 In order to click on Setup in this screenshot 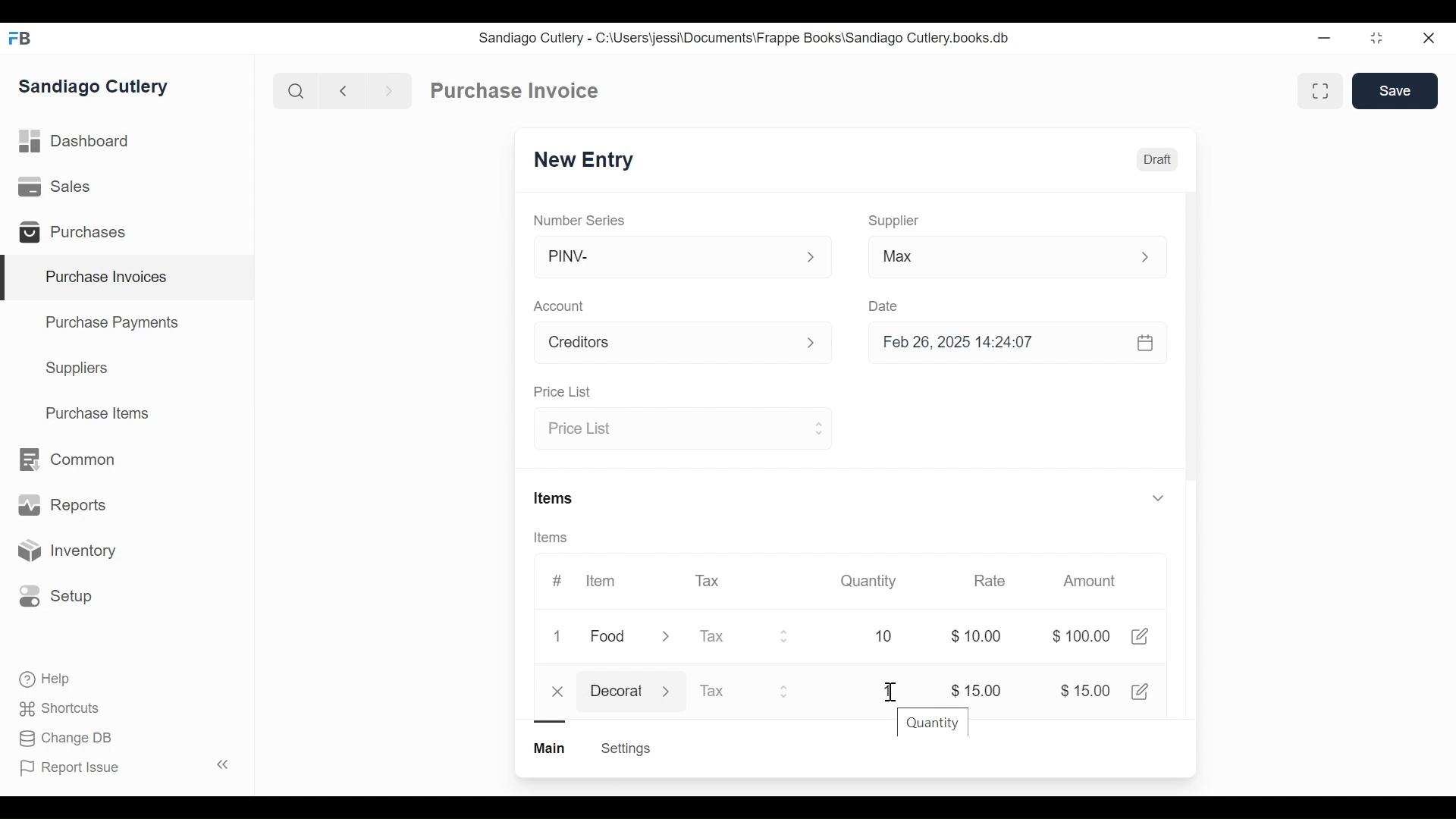, I will do `click(56, 595)`.